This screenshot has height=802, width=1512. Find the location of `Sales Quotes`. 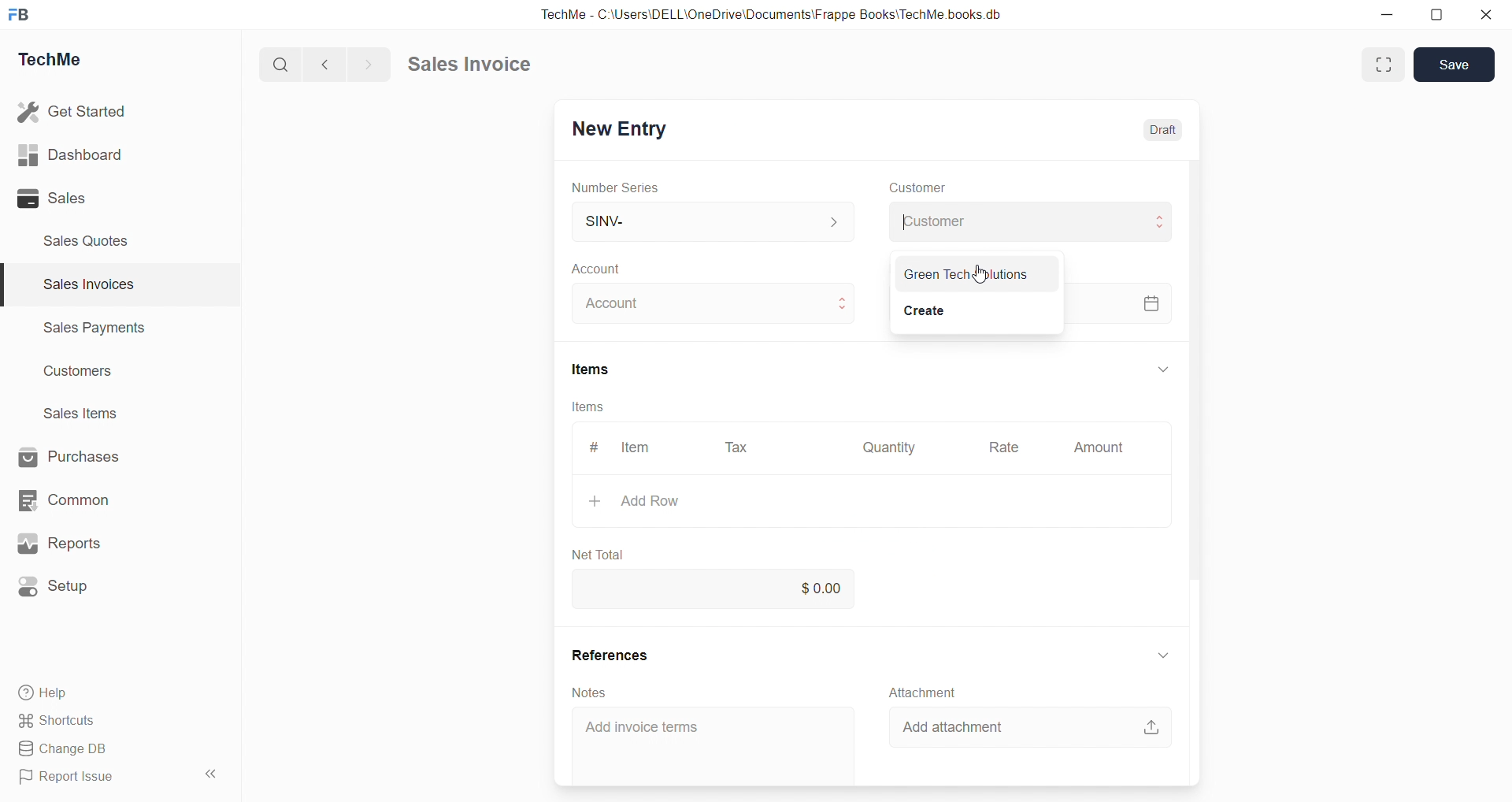

Sales Quotes is located at coordinates (87, 241).